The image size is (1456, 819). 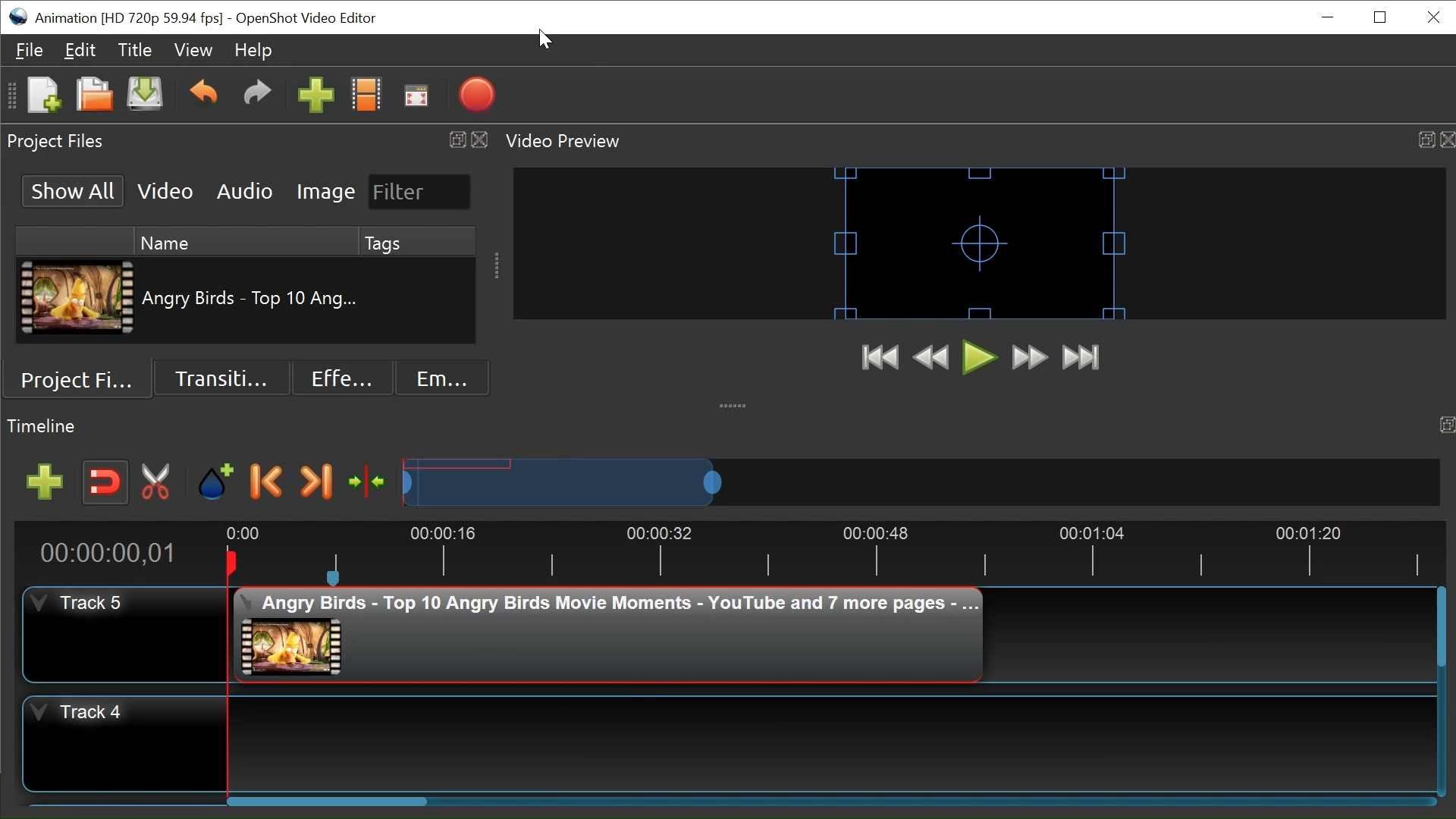 I want to click on Help, so click(x=257, y=52).